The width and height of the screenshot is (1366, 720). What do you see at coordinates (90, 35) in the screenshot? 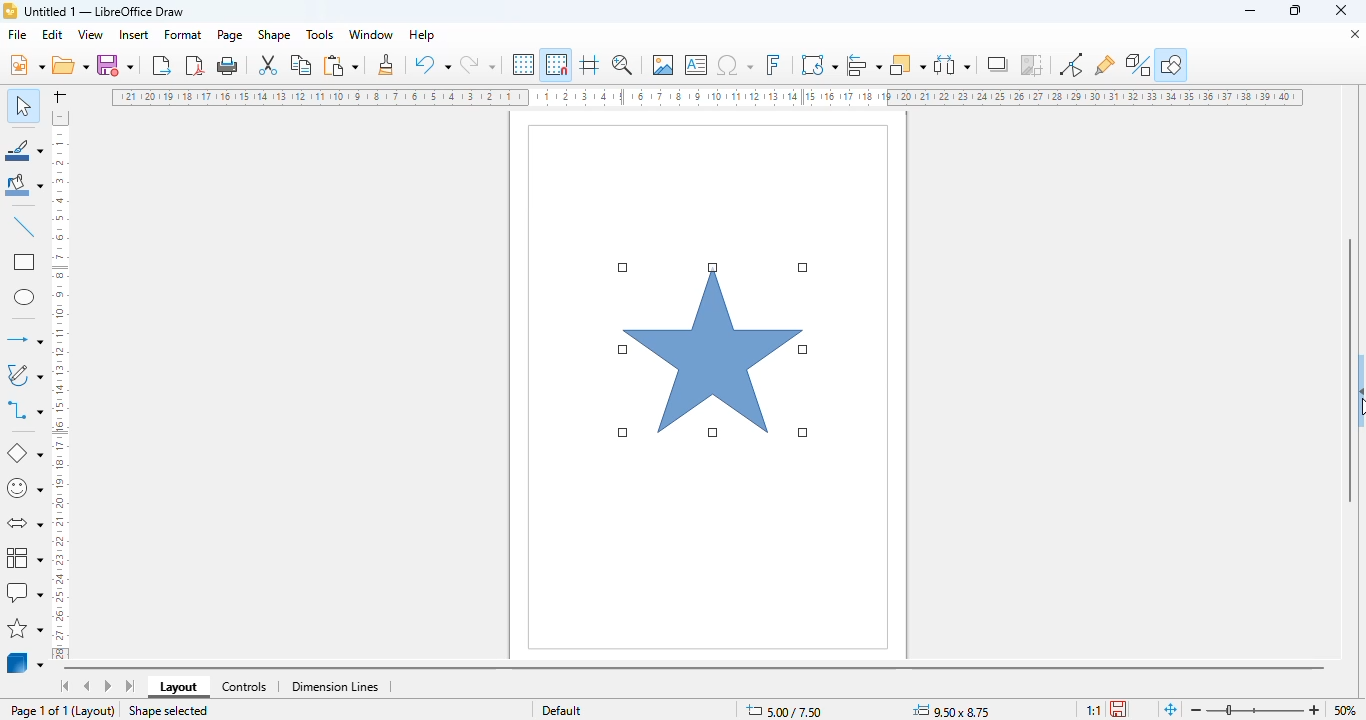
I see `view` at bounding box center [90, 35].